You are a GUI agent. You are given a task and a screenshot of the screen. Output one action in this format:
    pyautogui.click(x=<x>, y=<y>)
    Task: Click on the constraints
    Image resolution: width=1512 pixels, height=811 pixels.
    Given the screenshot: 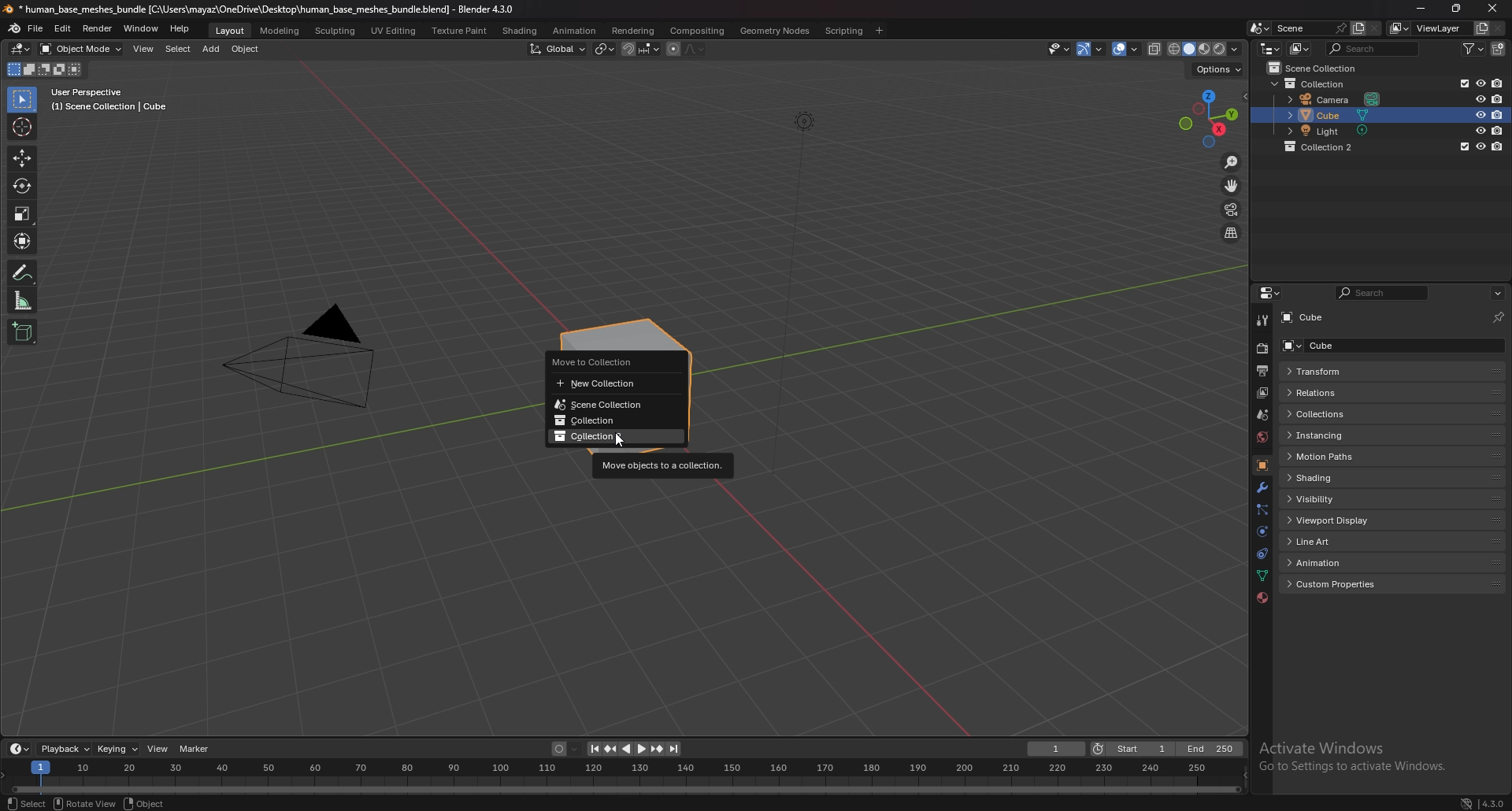 What is the action you would take?
    pyautogui.click(x=1261, y=554)
    